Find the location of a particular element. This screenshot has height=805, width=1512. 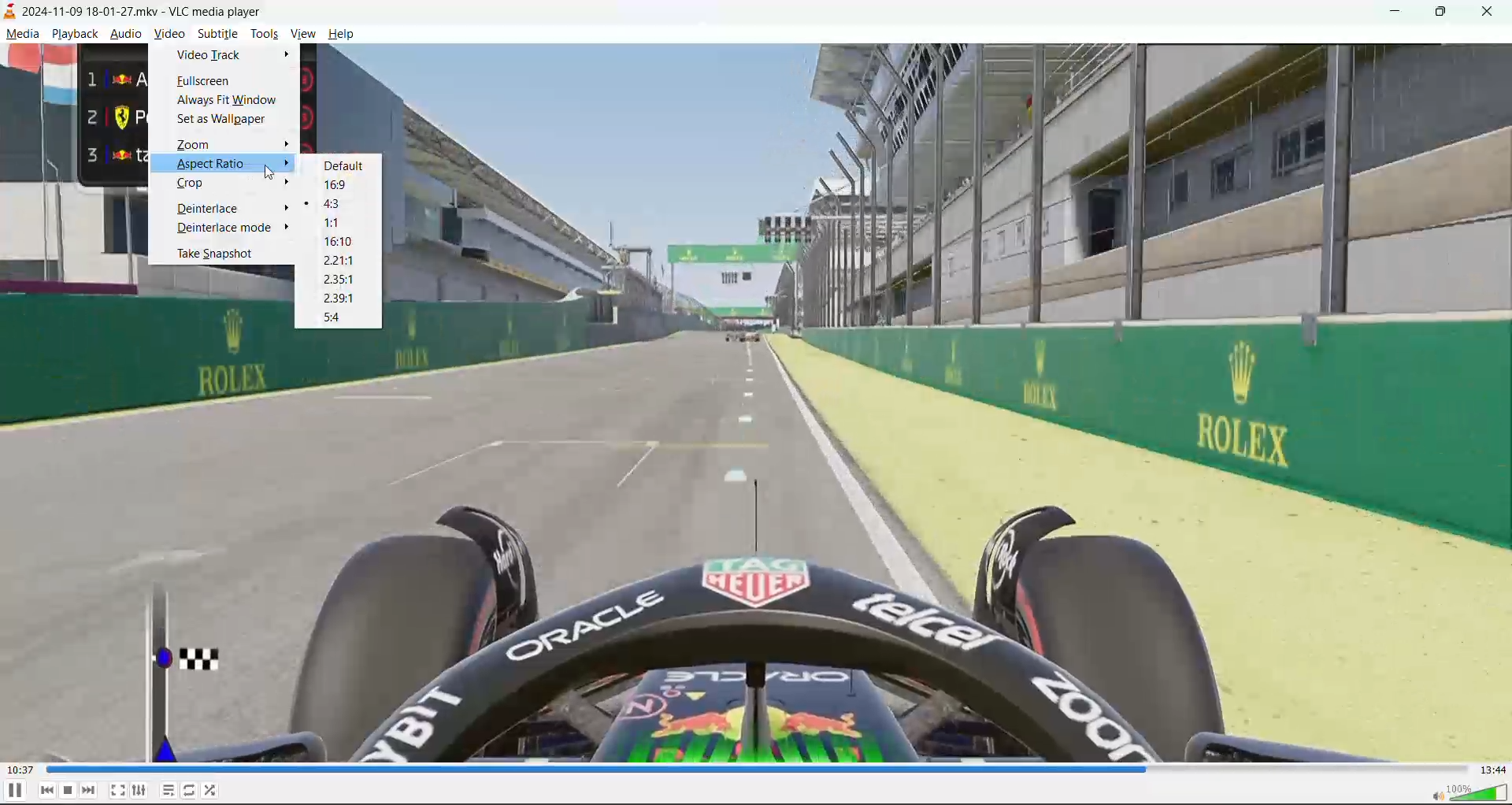

16:10 is located at coordinates (344, 243).